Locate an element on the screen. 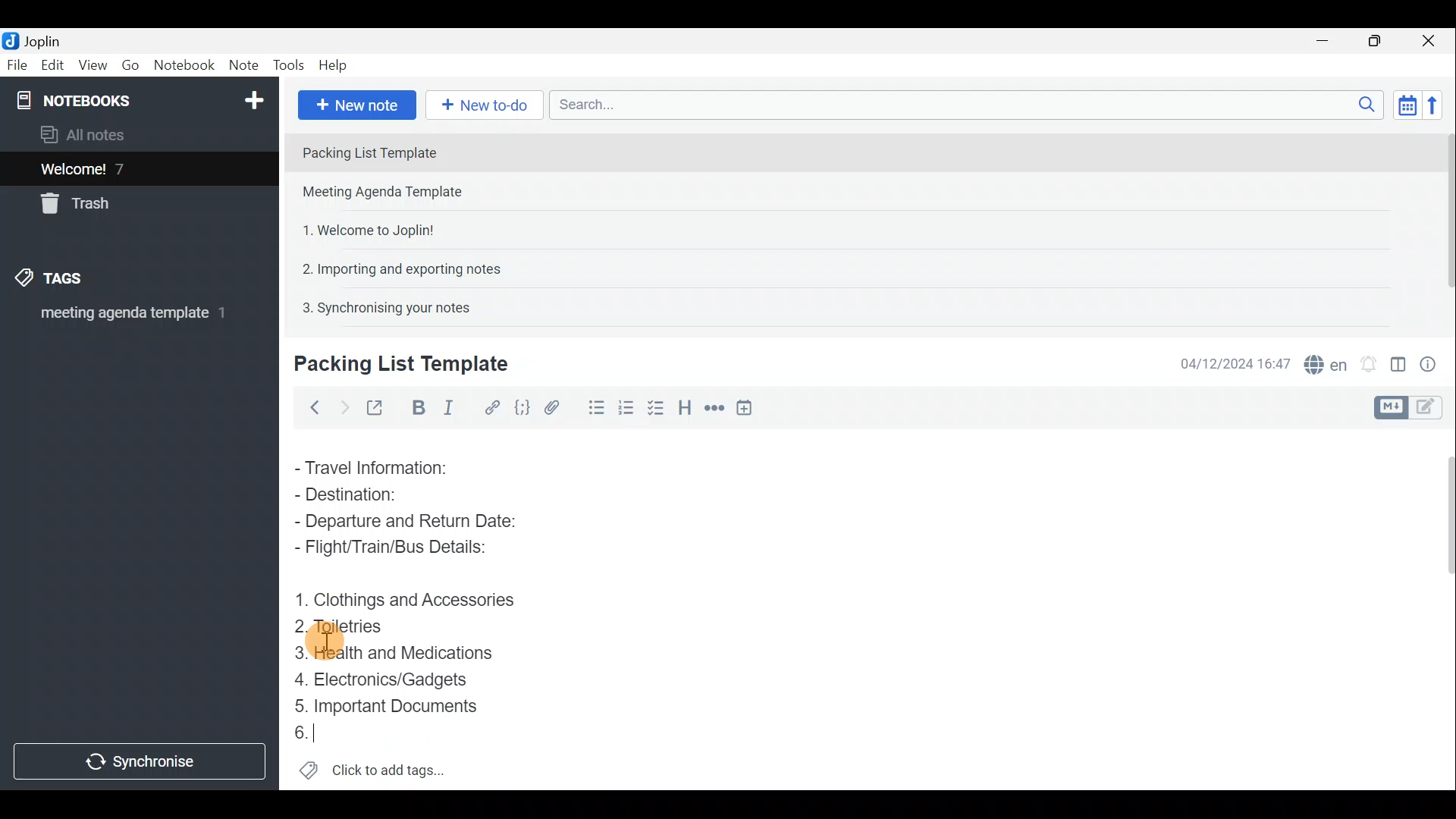  Tools is located at coordinates (290, 66).